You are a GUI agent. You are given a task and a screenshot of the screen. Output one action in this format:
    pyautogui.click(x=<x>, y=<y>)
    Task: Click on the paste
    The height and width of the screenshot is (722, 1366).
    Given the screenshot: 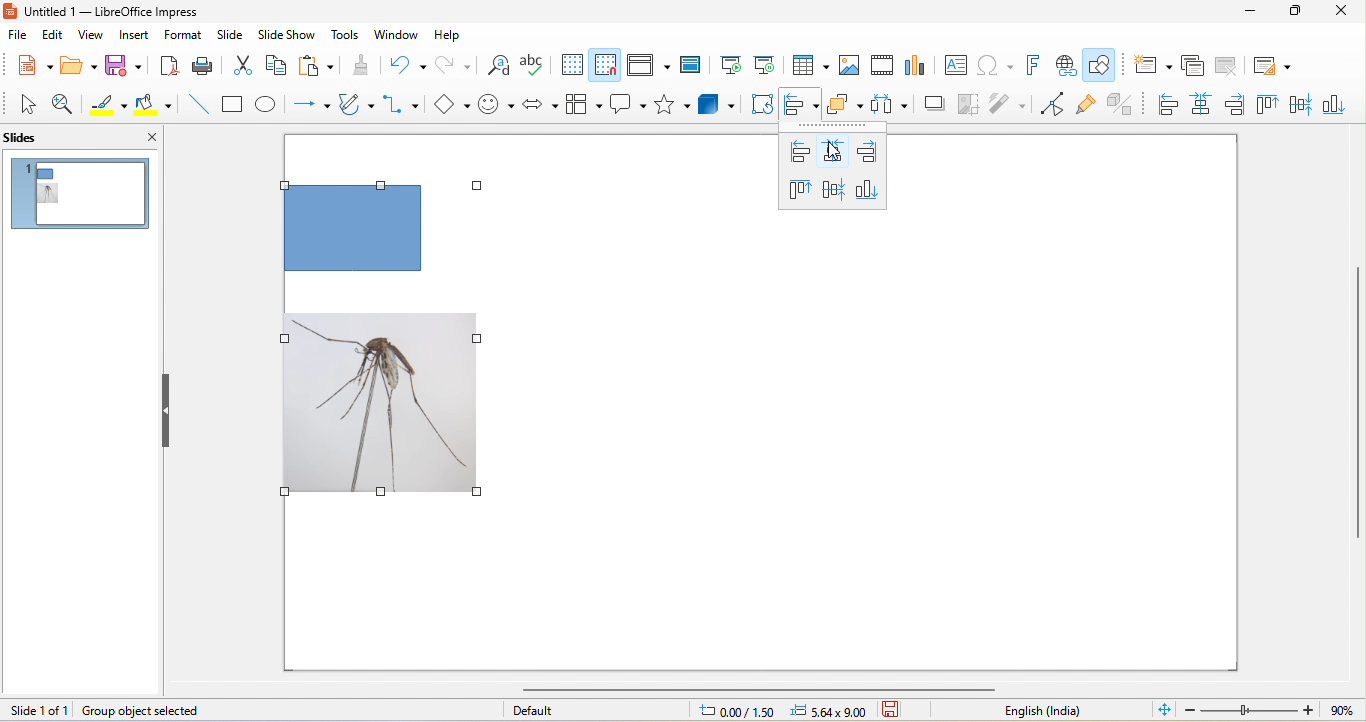 What is the action you would take?
    pyautogui.click(x=316, y=66)
    